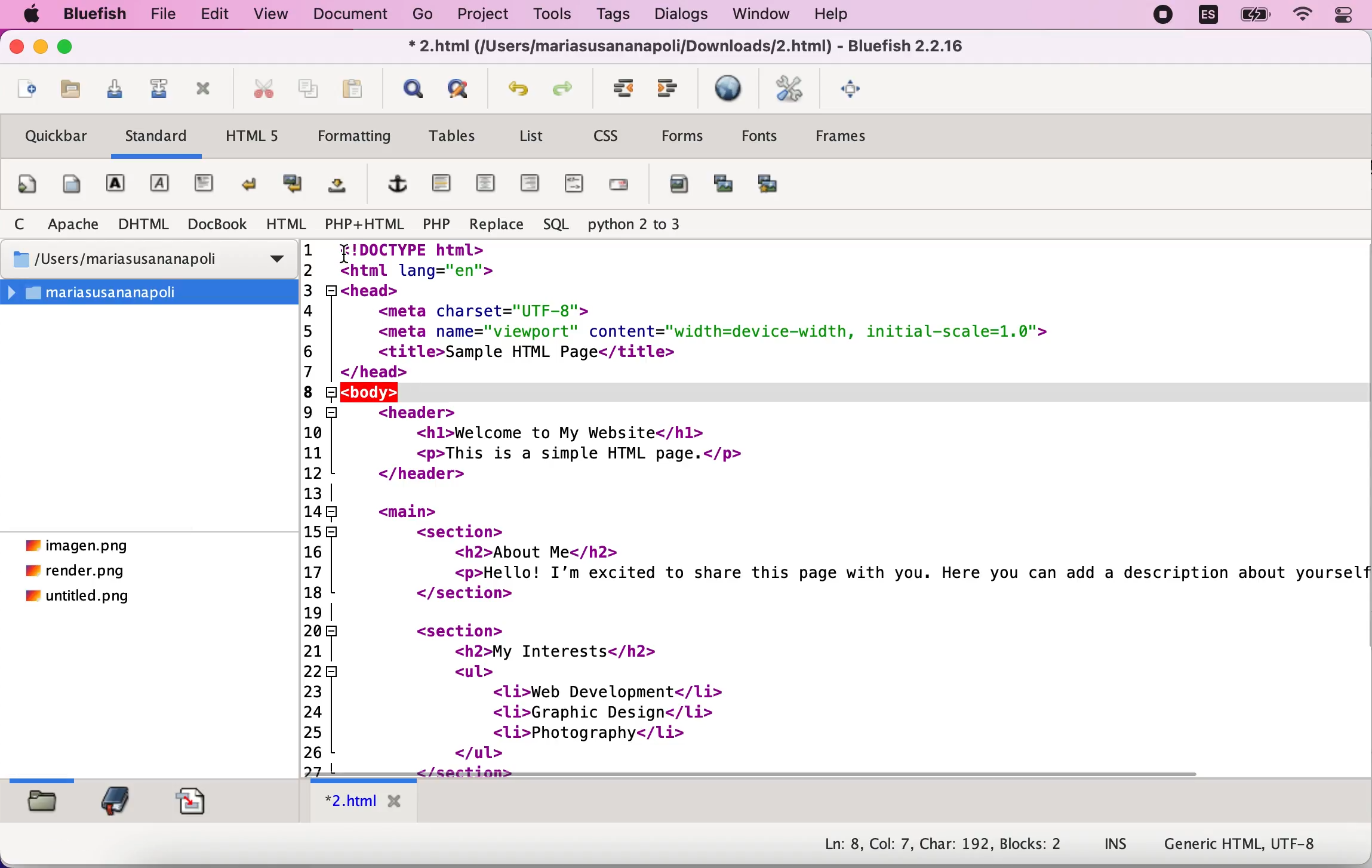  What do you see at coordinates (647, 224) in the screenshot?
I see `python 2 to 3` at bounding box center [647, 224].